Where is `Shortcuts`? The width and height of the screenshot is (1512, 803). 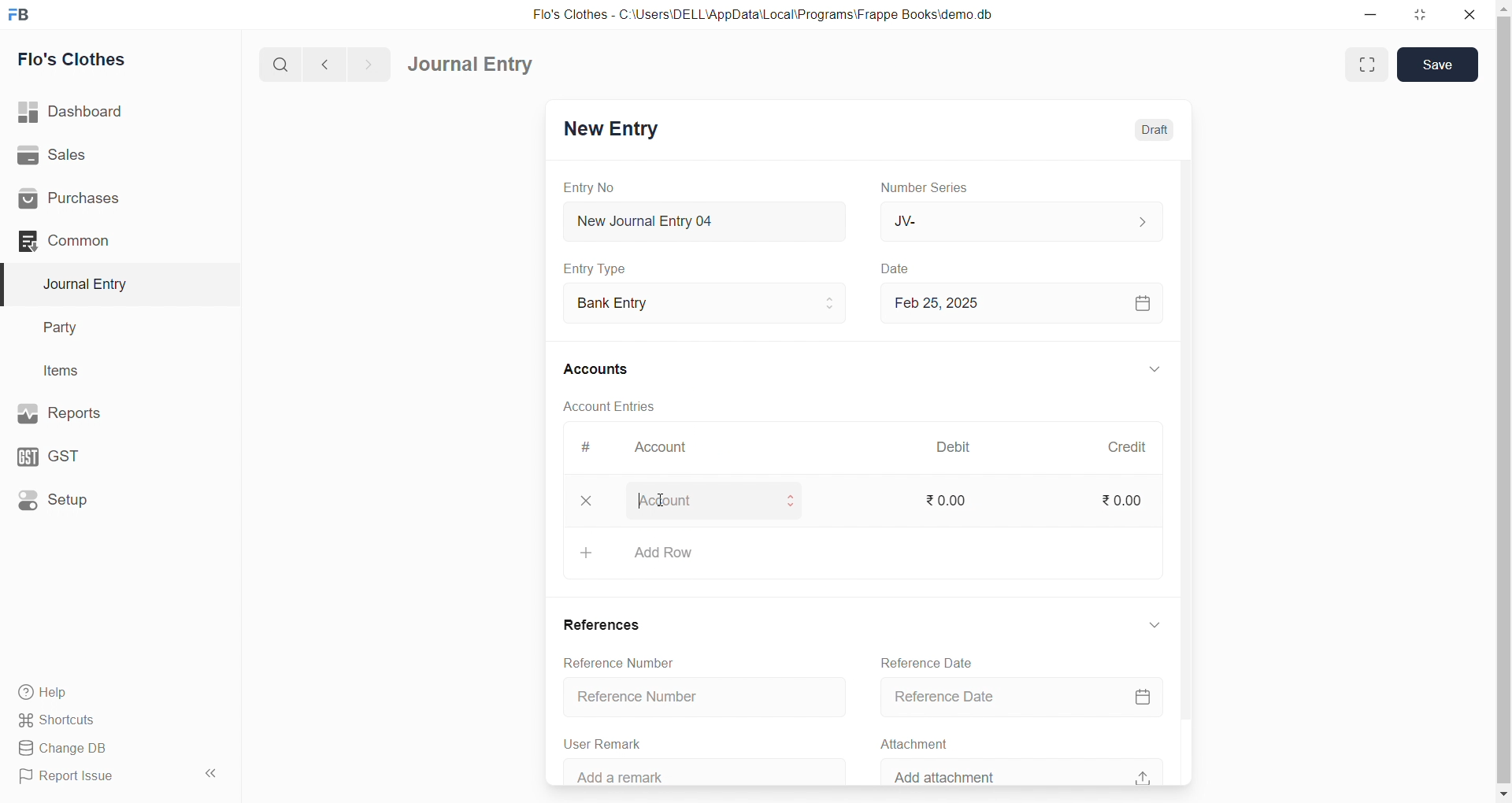
Shortcuts is located at coordinates (115, 719).